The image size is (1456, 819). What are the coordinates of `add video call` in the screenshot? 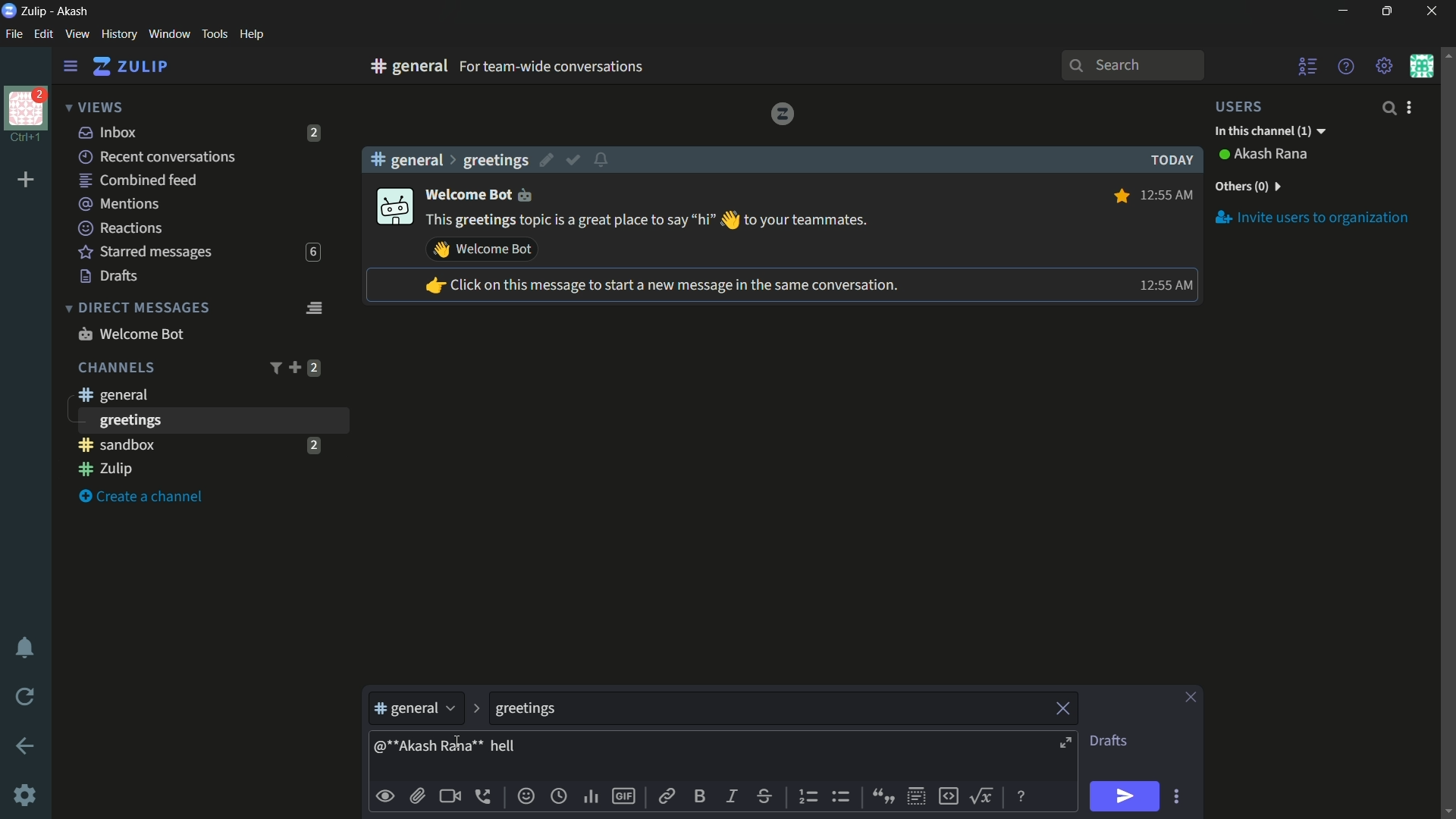 It's located at (450, 796).